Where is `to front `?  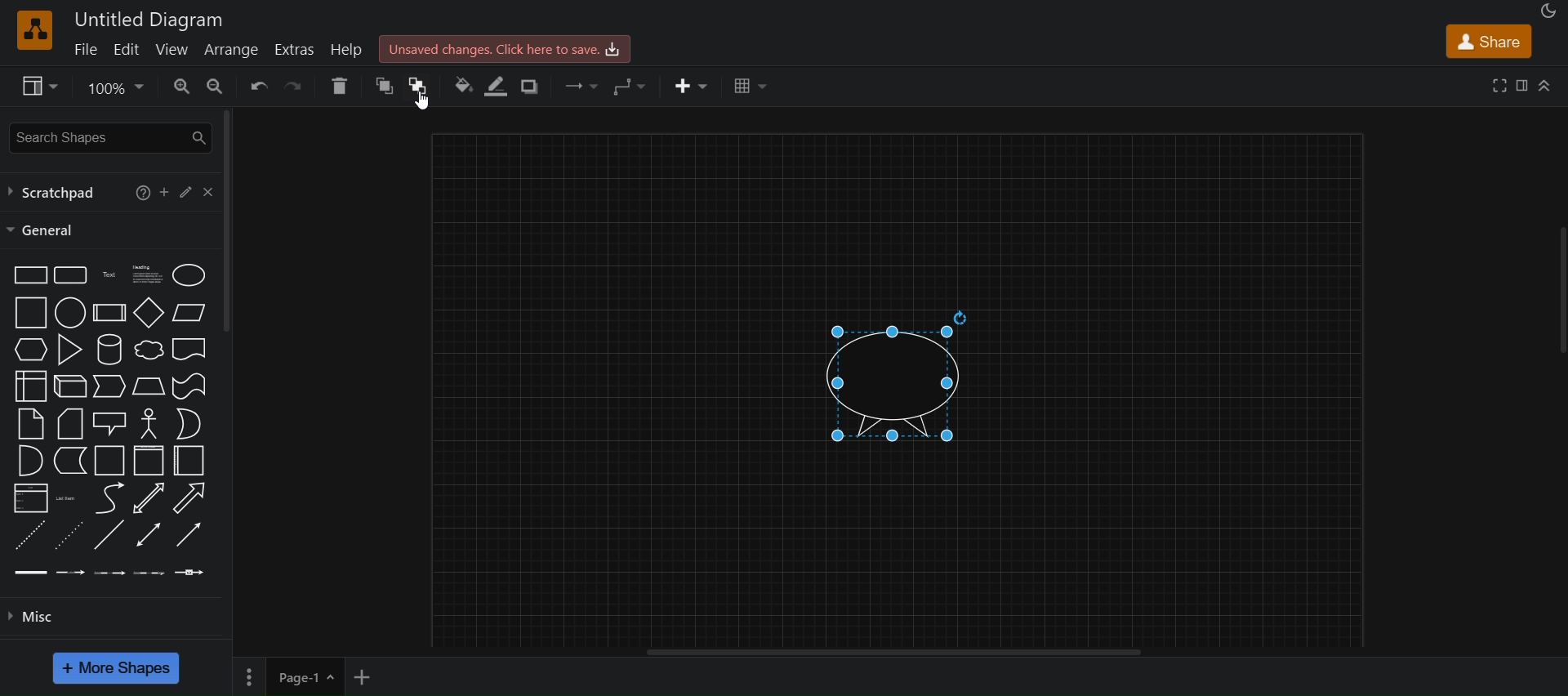
to front  is located at coordinates (380, 88).